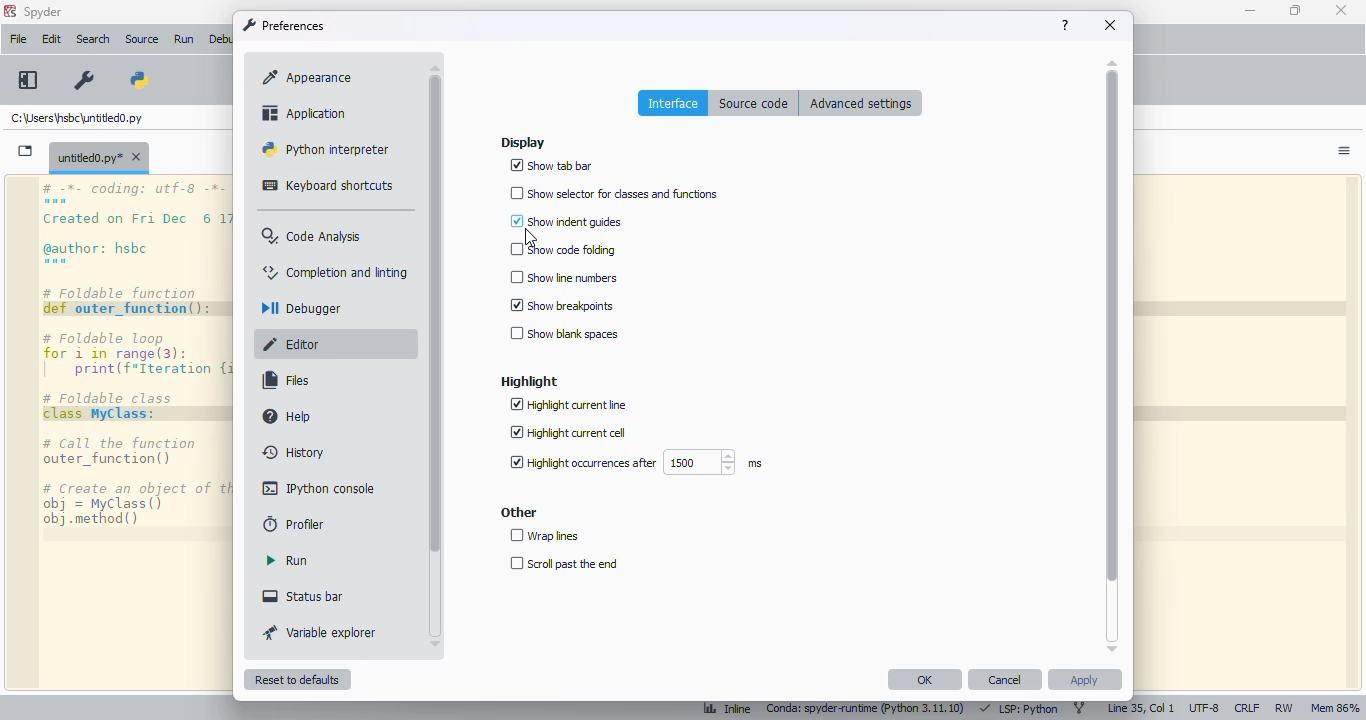  I want to click on file, so click(19, 38).